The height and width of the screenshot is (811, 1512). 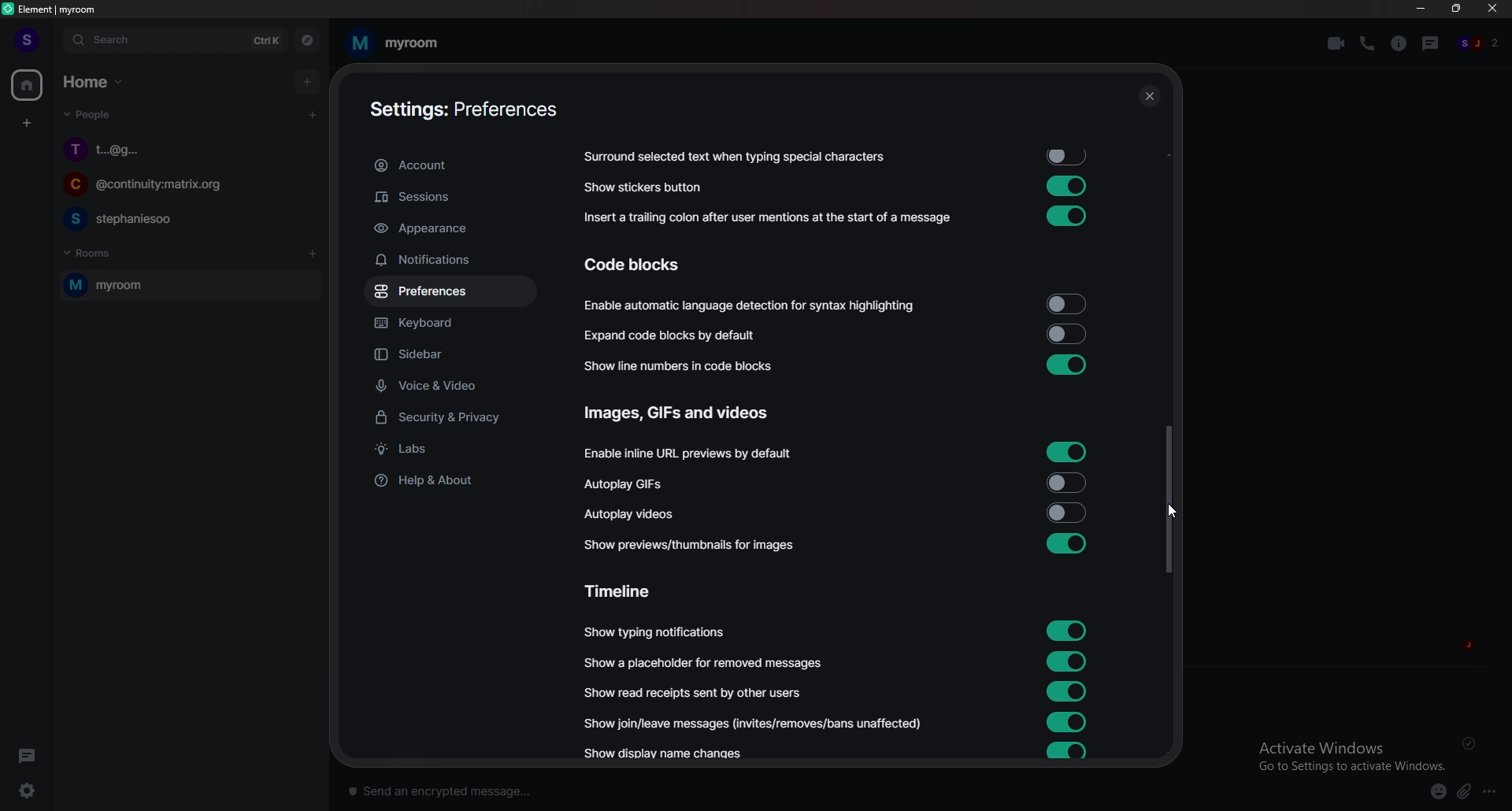 What do you see at coordinates (1400, 43) in the screenshot?
I see `room info` at bounding box center [1400, 43].